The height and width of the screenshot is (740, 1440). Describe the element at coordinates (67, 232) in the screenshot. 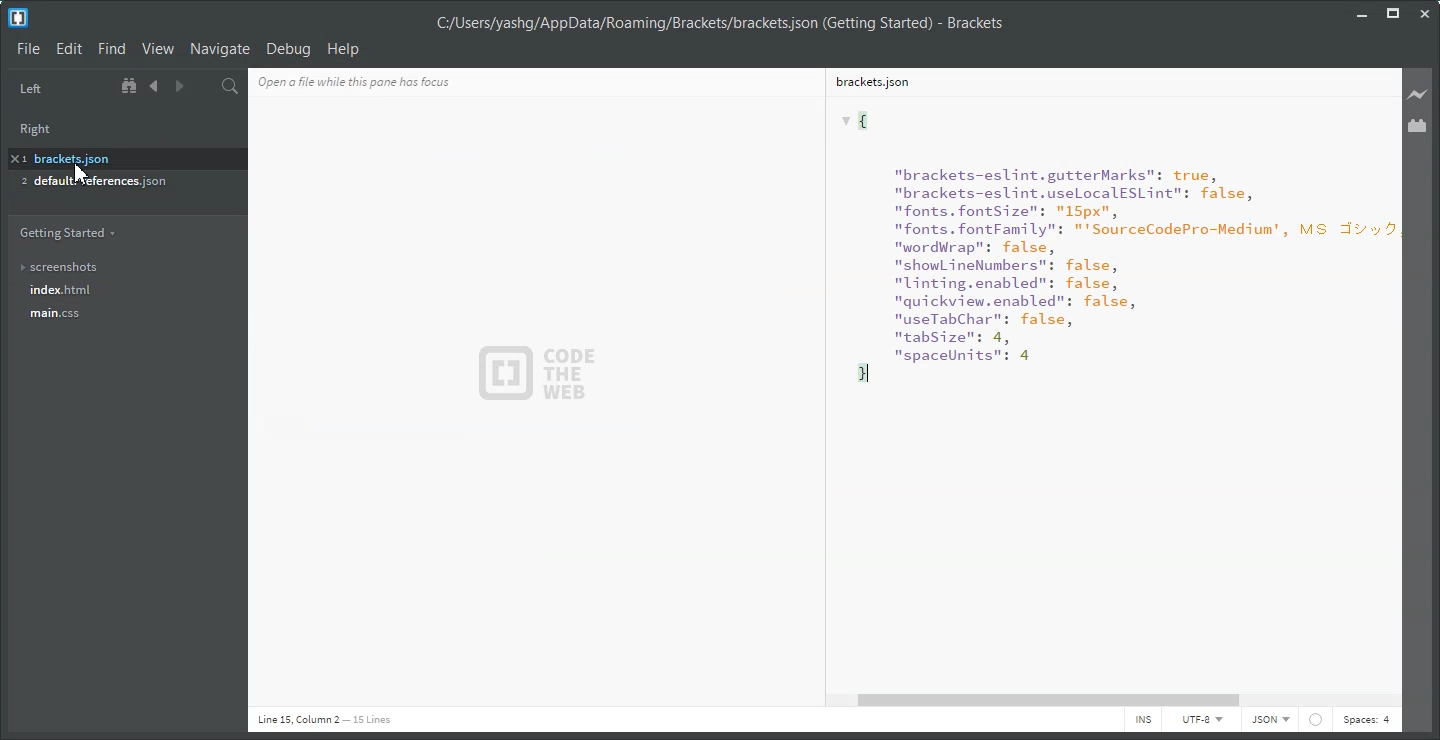

I see `Getting Started` at that location.